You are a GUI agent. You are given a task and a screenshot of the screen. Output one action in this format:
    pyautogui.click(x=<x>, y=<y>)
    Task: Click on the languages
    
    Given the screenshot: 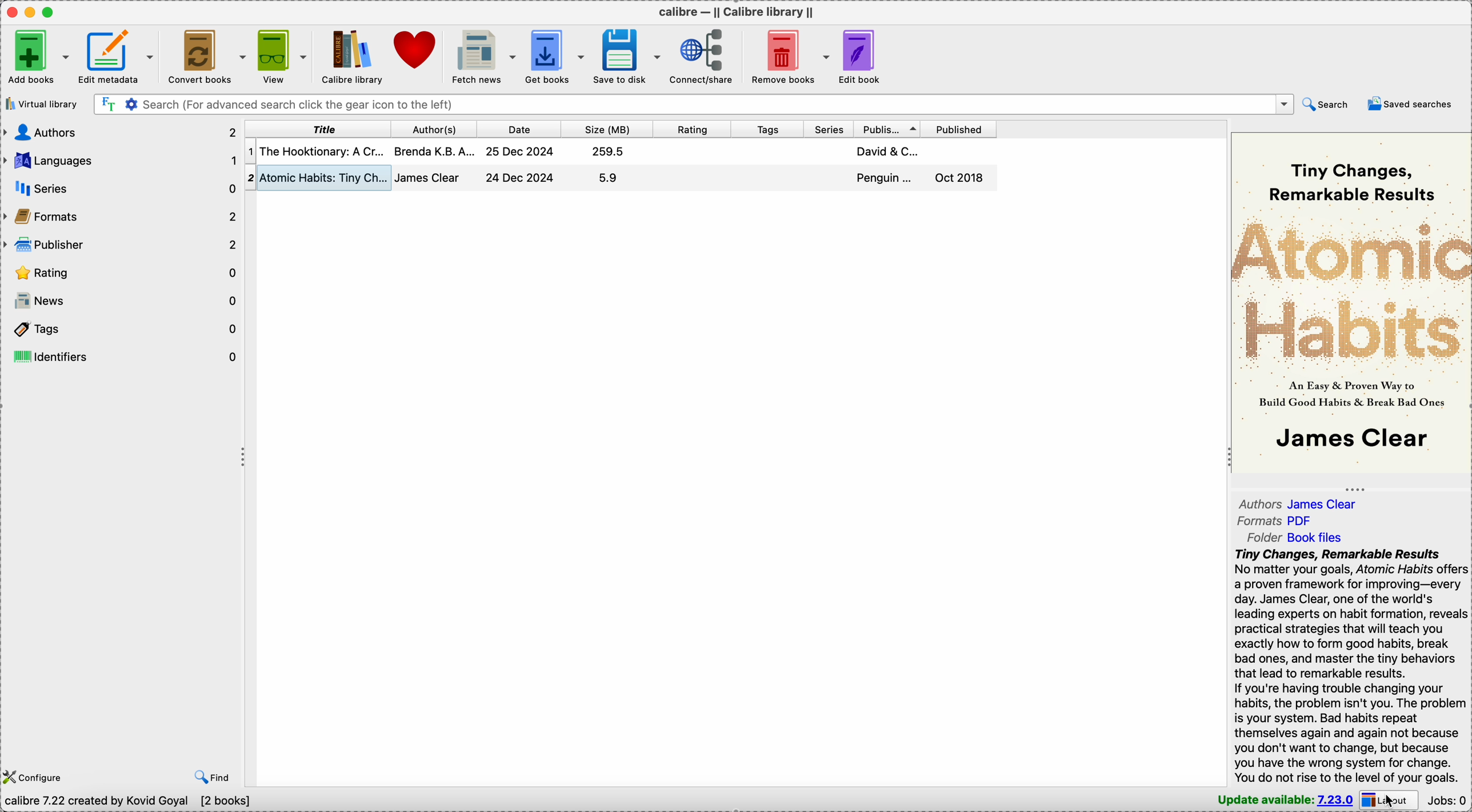 What is the action you would take?
    pyautogui.click(x=119, y=161)
    